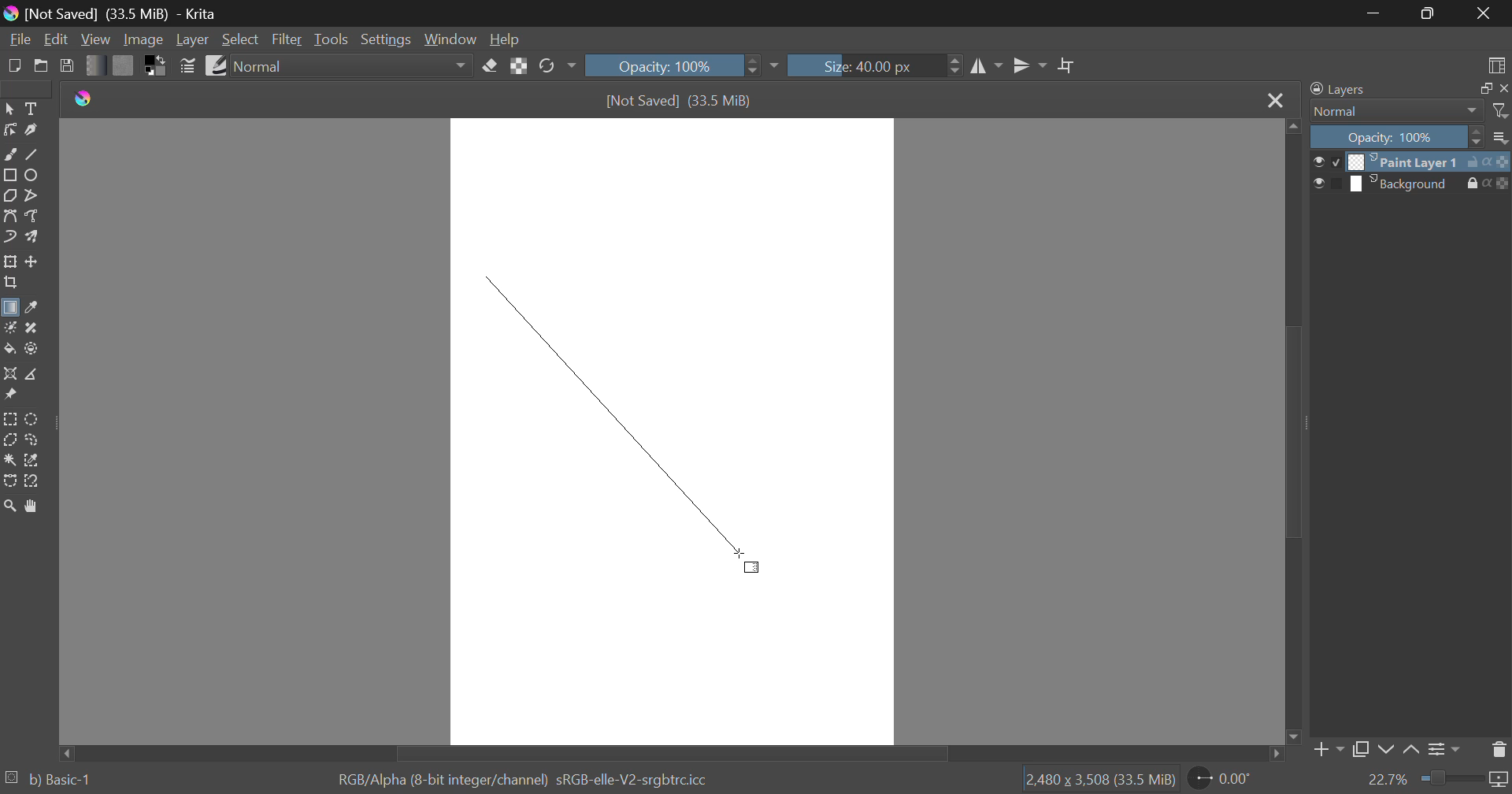  Describe the element at coordinates (1388, 111) in the screenshot. I see `Normal` at that location.